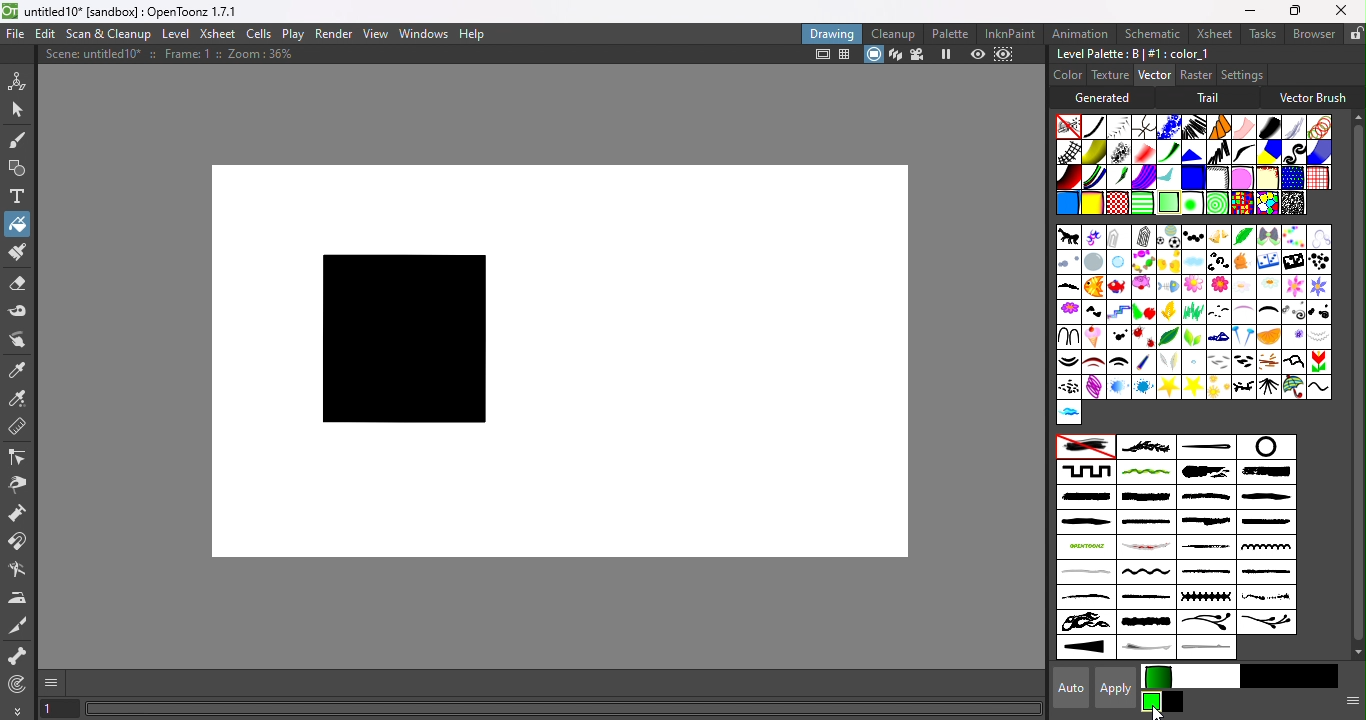 The height and width of the screenshot is (720, 1366). What do you see at coordinates (139, 12) in the screenshot?
I see `File name` at bounding box center [139, 12].